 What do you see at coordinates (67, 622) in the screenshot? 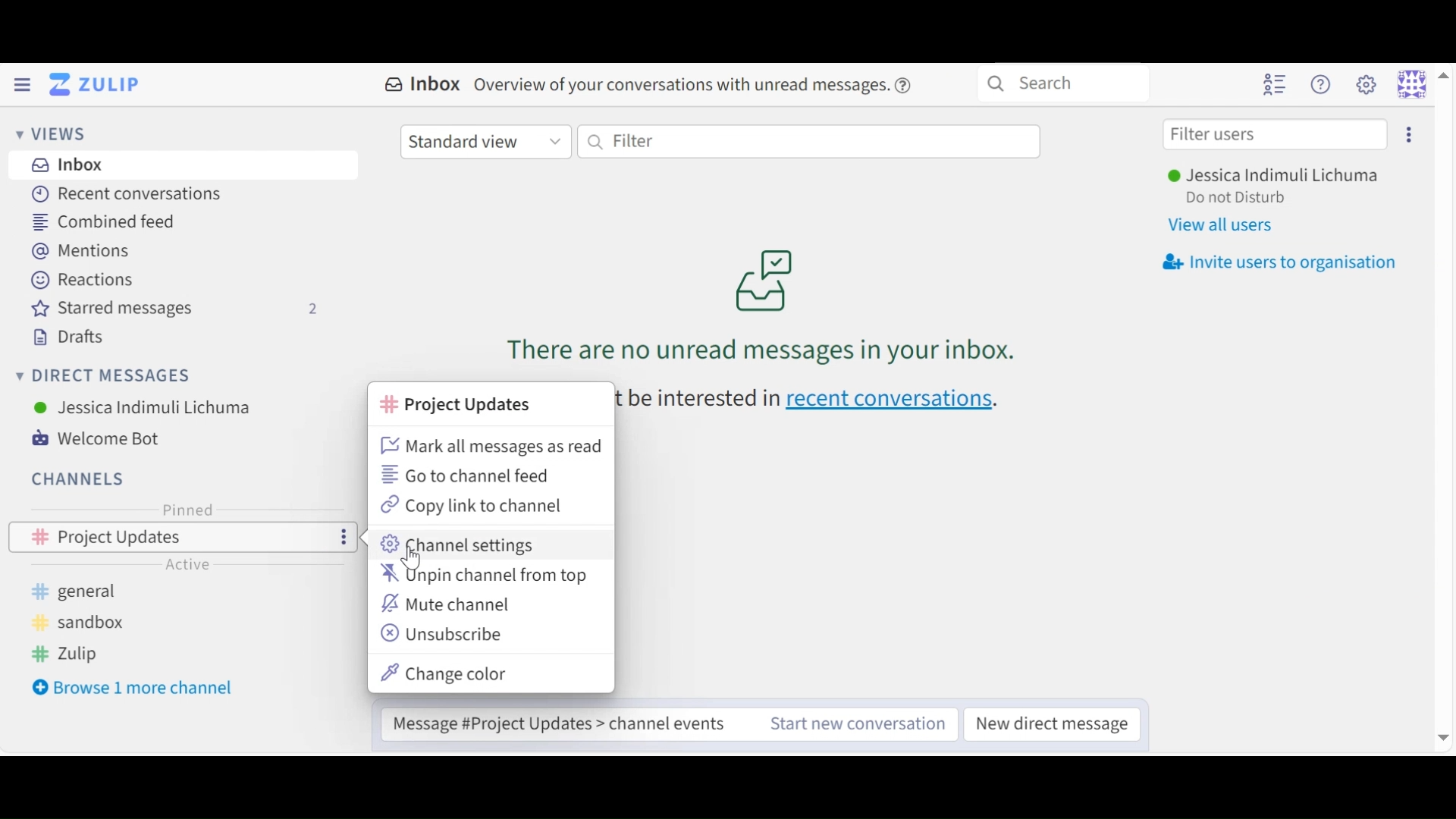
I see `sandboz` at bounding box center [67, 622].